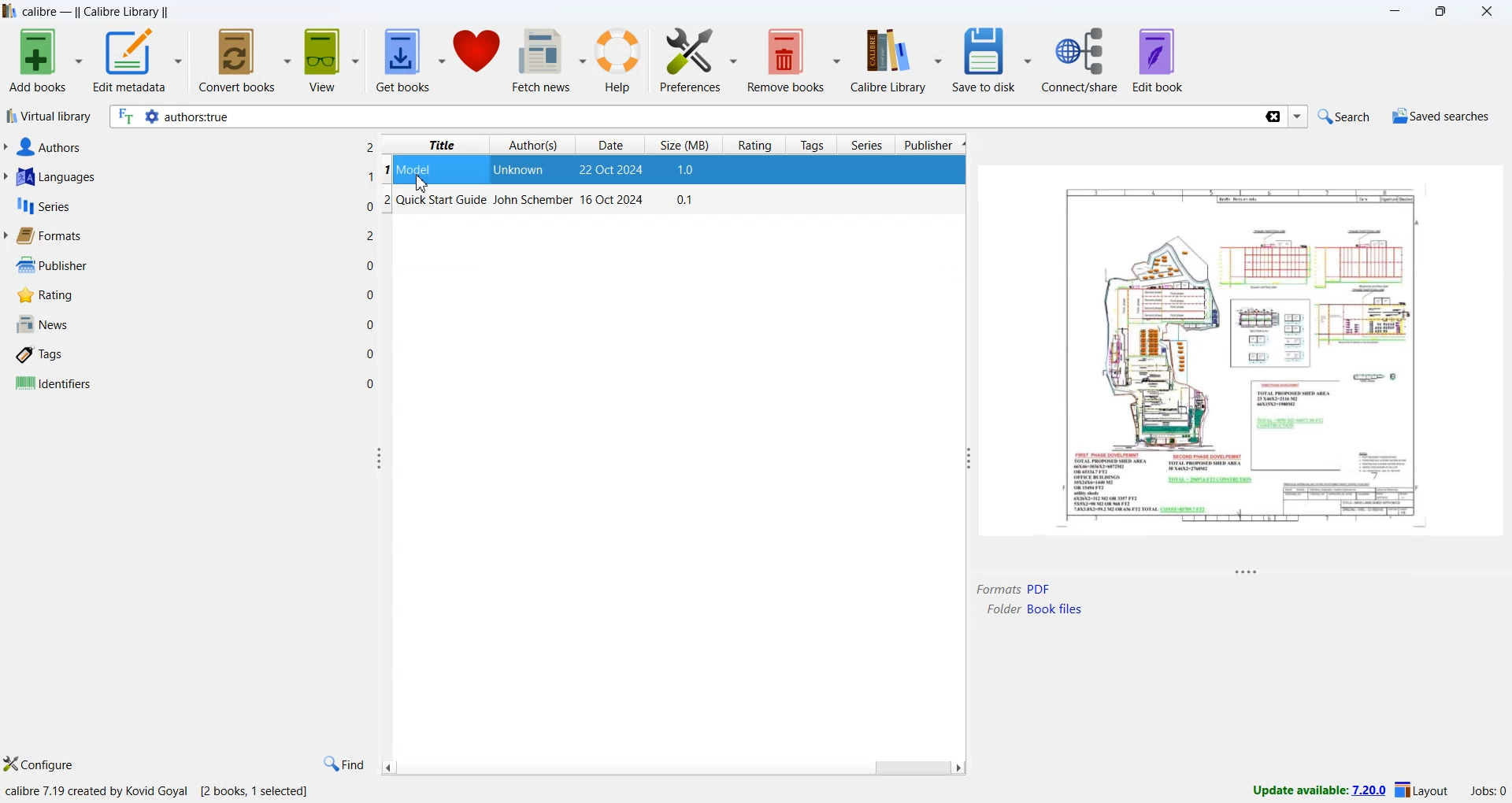  What do you see at coordinates (333, 61) in the screenshot?
I see `view` at bounding box center [333, 61].